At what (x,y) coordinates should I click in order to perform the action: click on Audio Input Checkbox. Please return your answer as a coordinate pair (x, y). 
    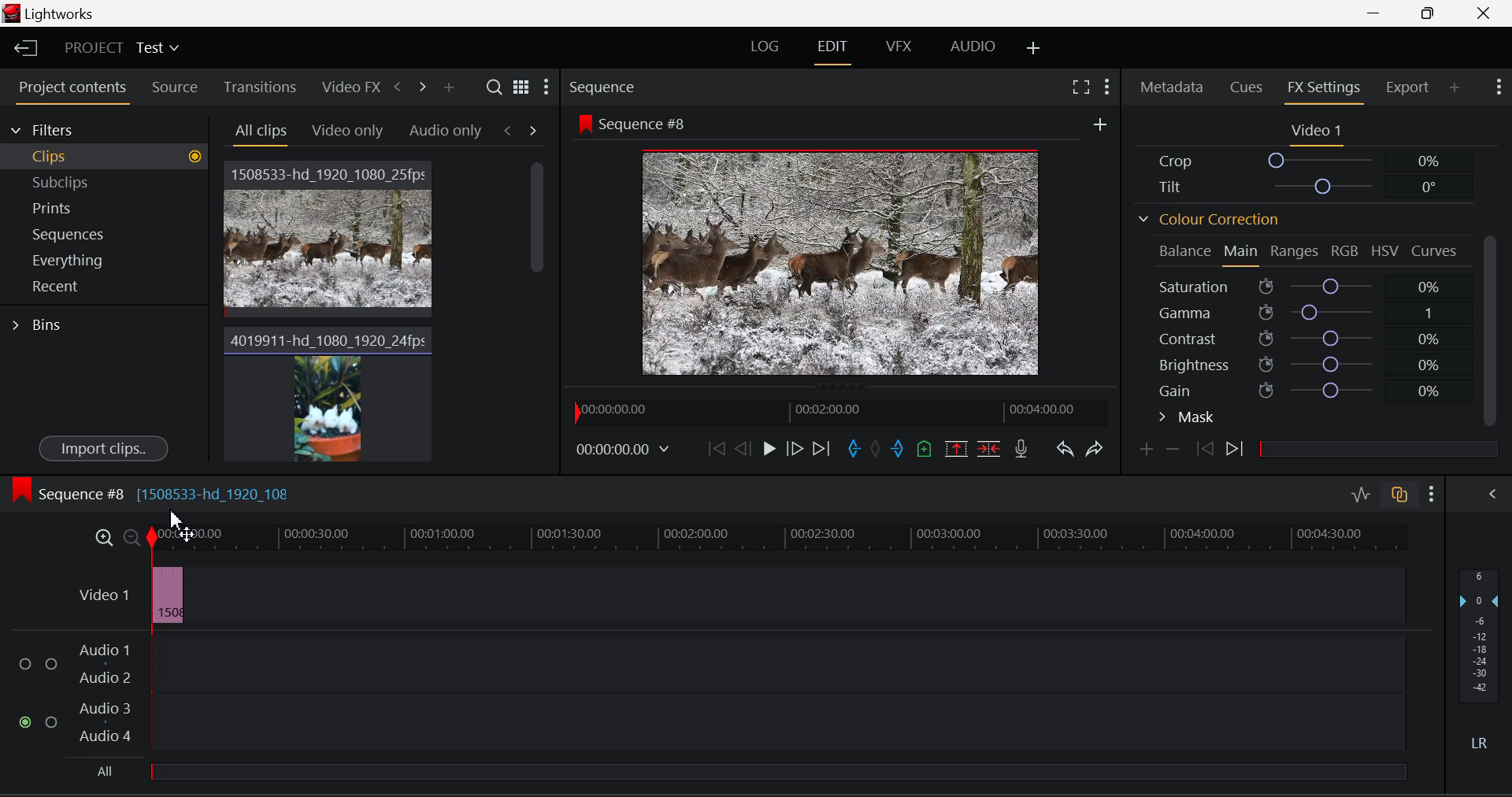
    Looking at the image, I should click on (50, 664).